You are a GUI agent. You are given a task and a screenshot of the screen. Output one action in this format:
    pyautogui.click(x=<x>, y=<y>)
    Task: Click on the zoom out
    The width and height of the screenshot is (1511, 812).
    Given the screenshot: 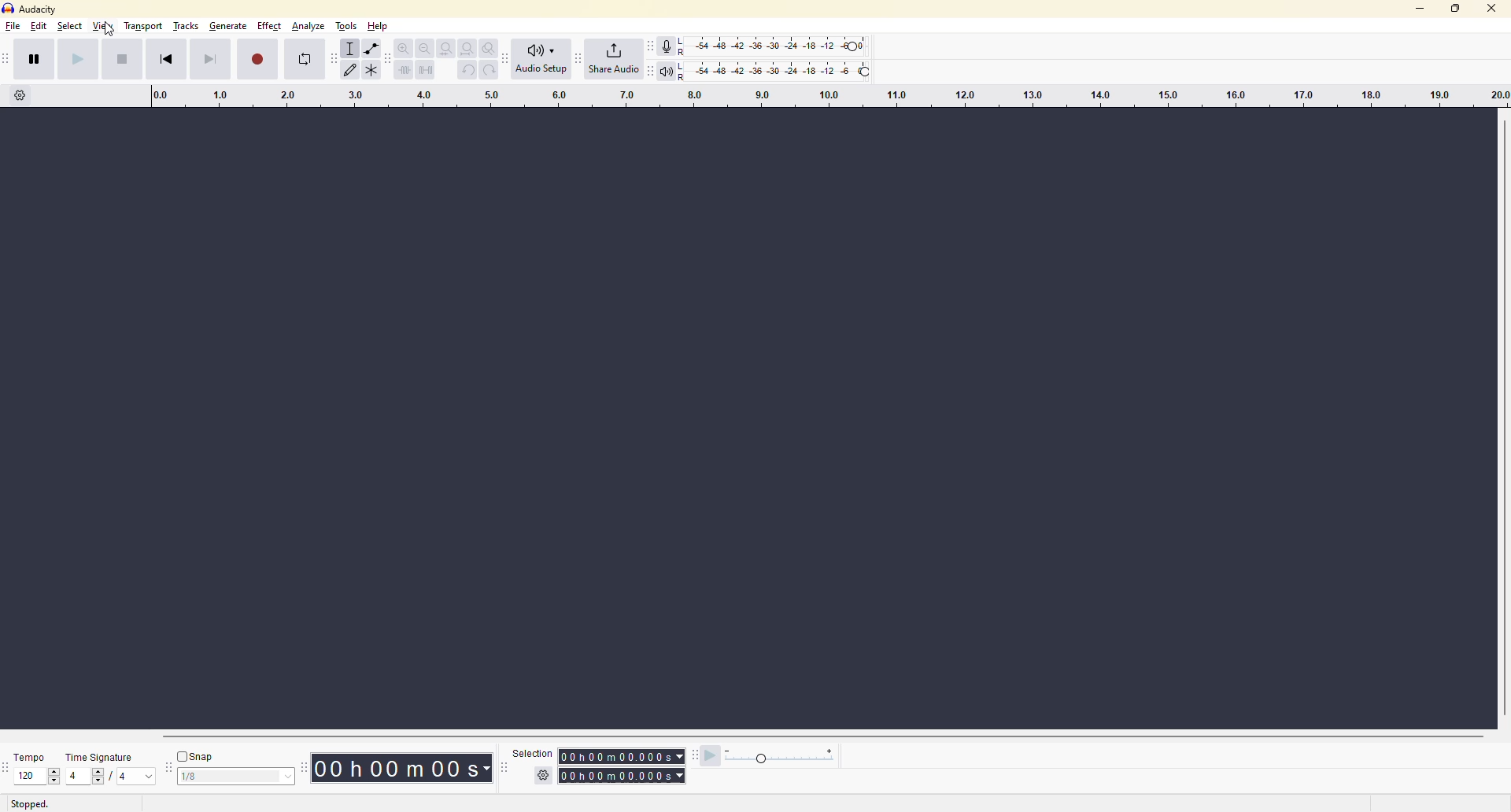 What is the action you would take?
    pyautogui.click(x=426, y=48)
    